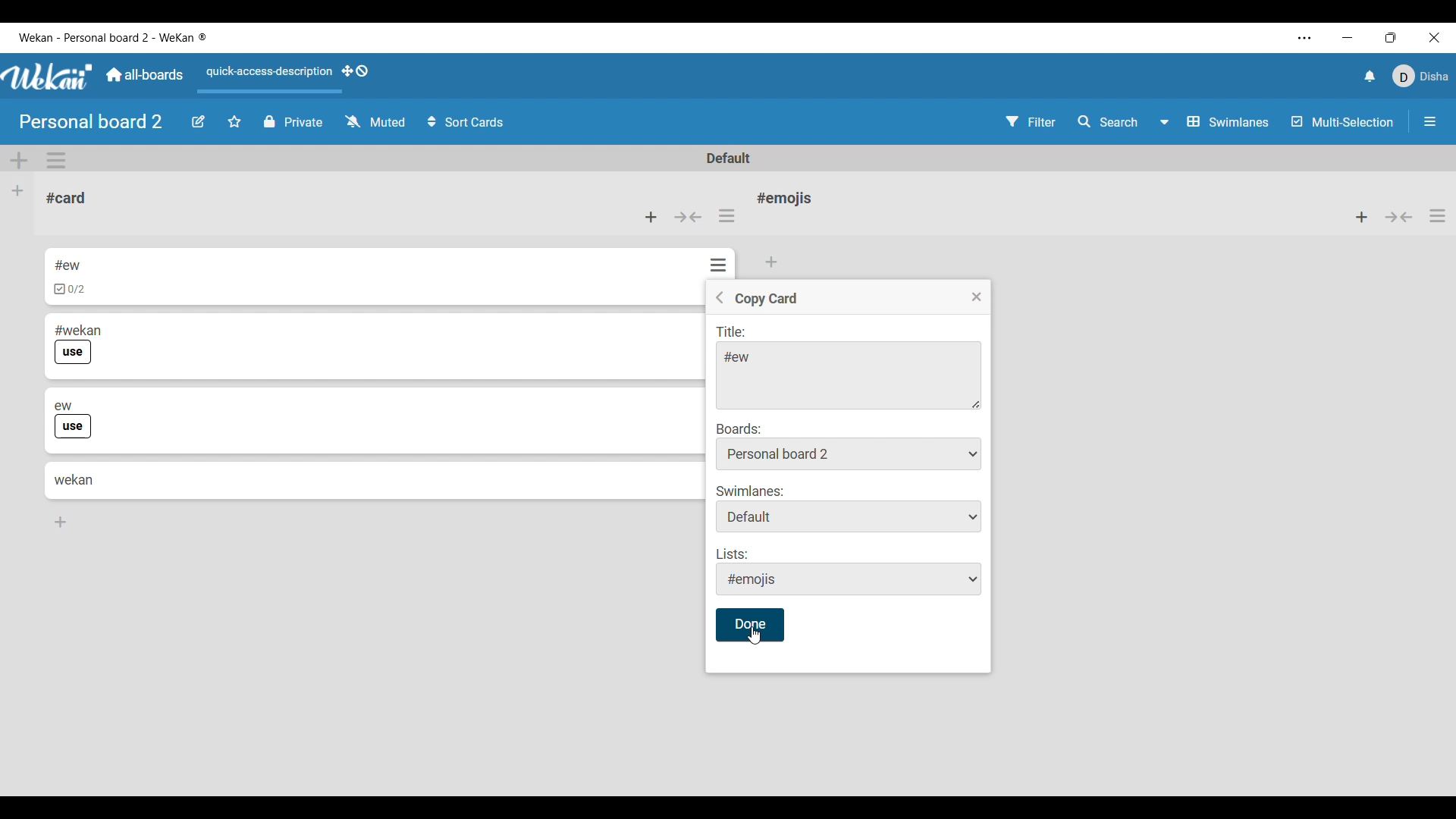 The image size is (1456, 819). Describe the element at coordinates (715, 260) in the screenshot. I see `Options` at that location.